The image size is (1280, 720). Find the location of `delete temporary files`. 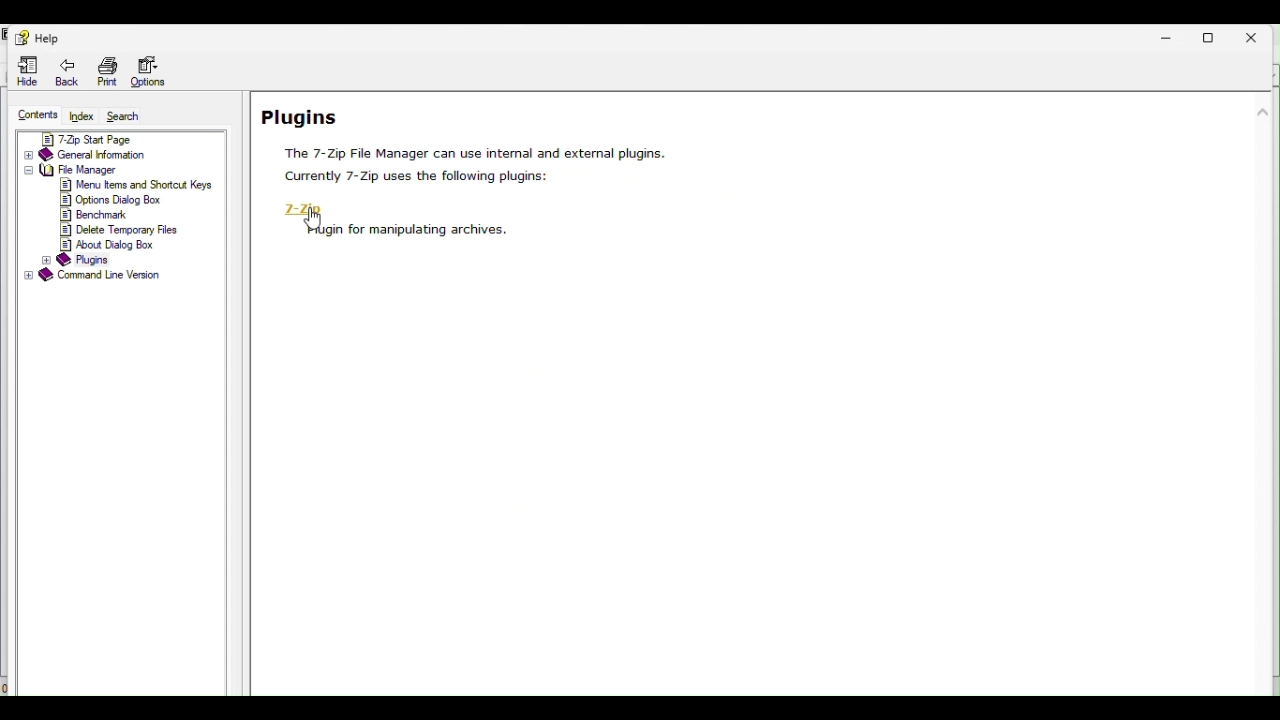

delete temporary files is located at coordinates (125, 231).